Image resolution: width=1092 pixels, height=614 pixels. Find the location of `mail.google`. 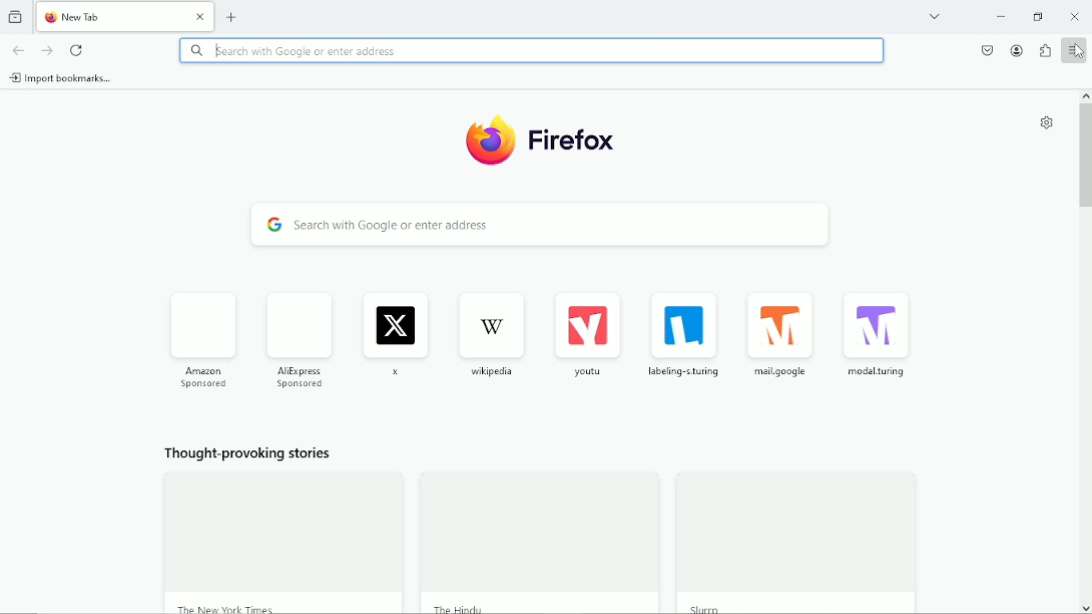

mail.google is located at coordinates (780, 336).